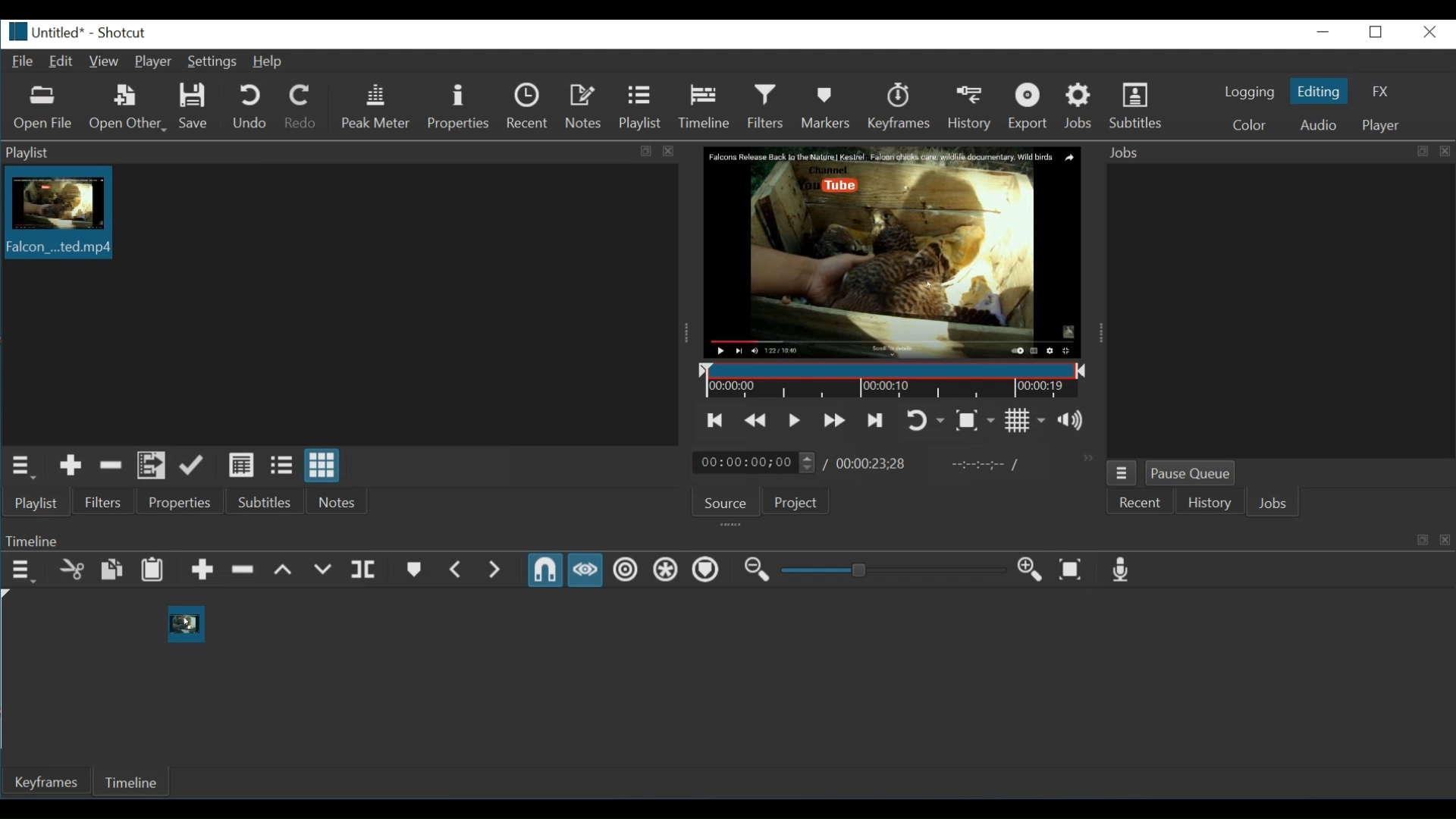 This screenshot has height=819, width=1456. I want to click on Minimize, so click(1325, 32).